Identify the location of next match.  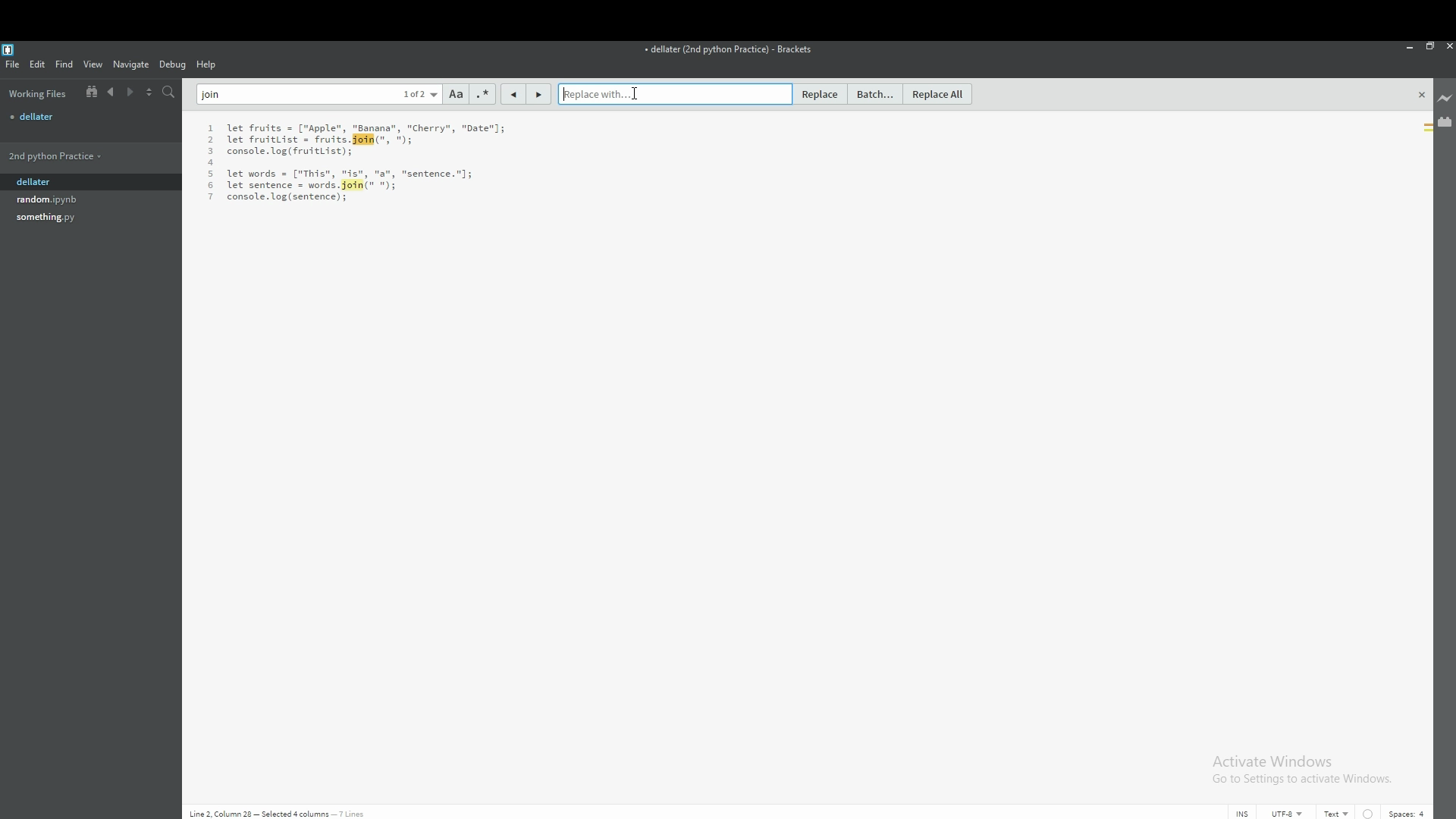
(537, 94).